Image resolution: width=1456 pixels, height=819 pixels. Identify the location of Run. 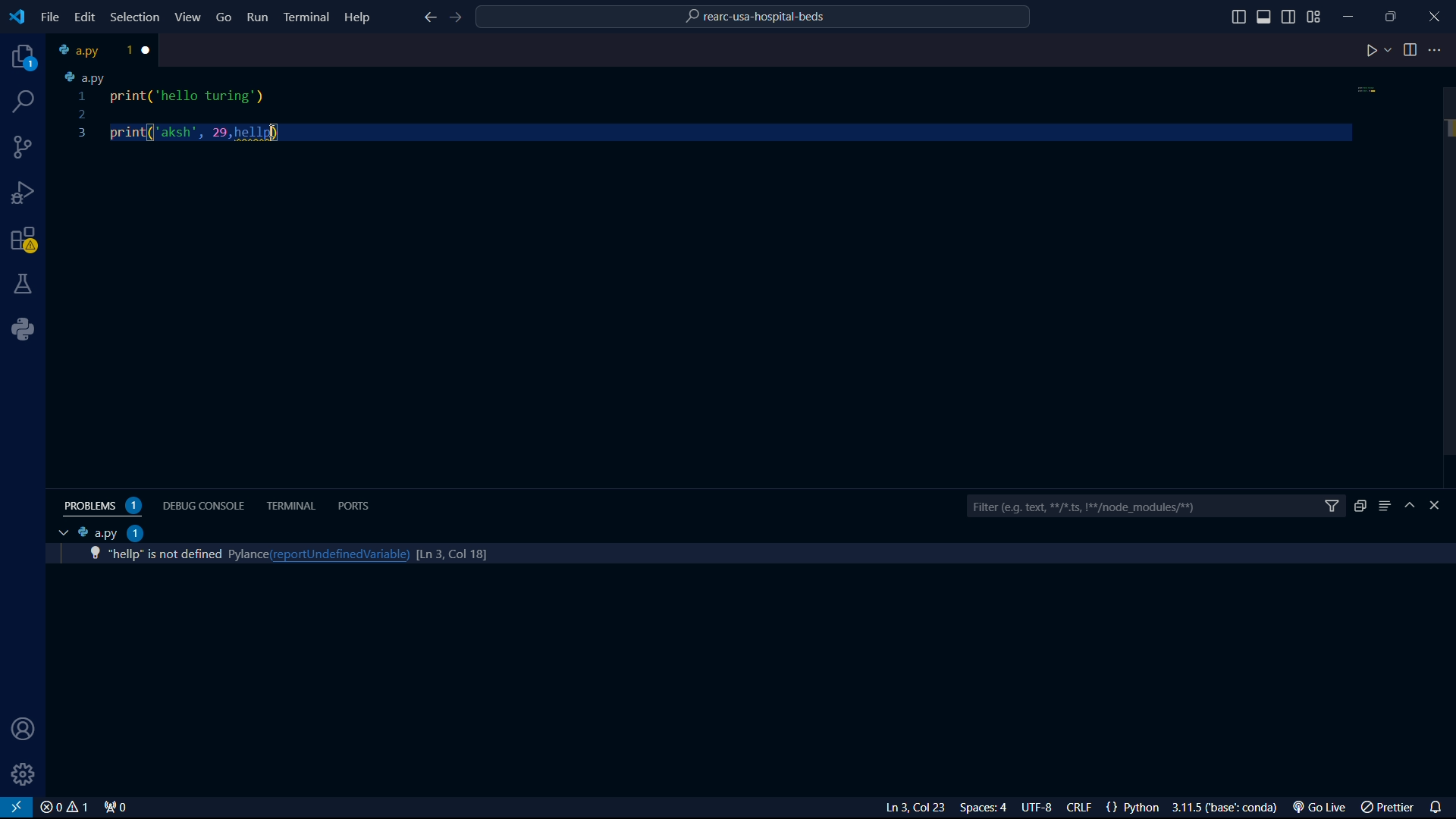
(259, 20).